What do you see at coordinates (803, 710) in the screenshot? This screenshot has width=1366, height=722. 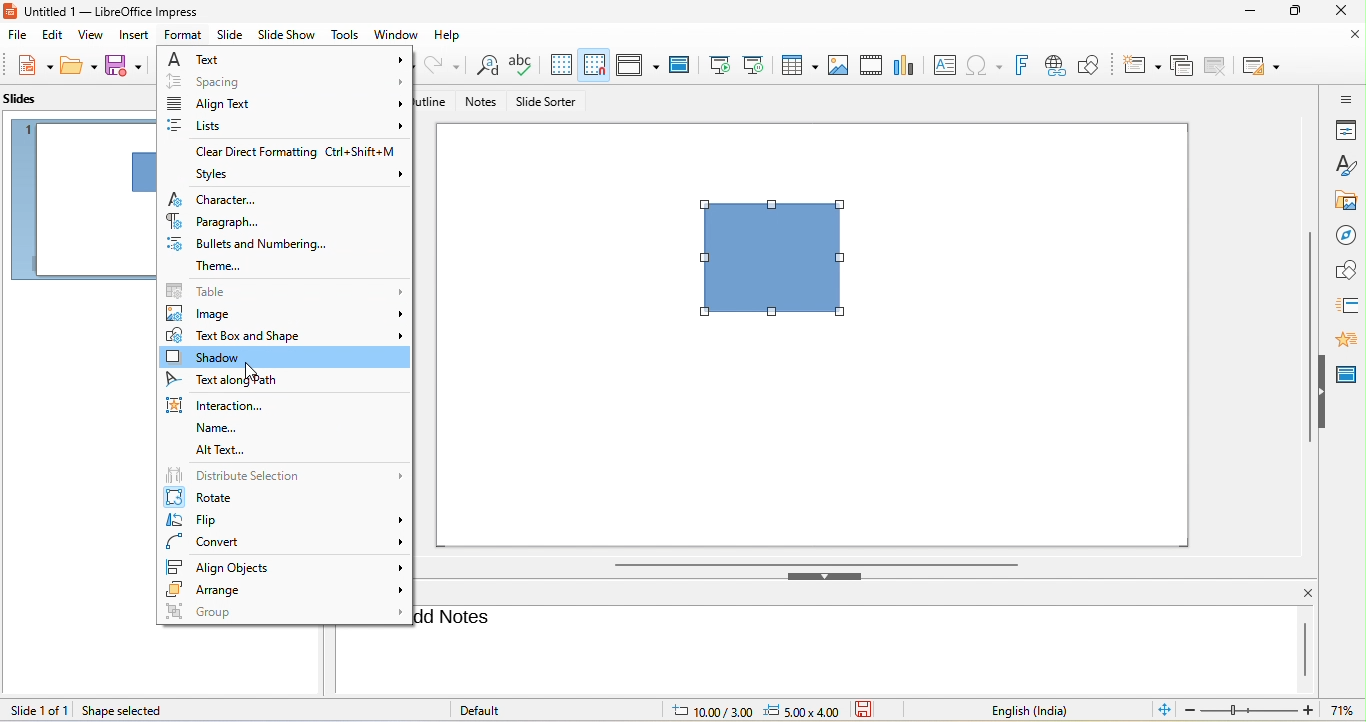 I see `5.00x4.00` at bounding box center [803, 710].